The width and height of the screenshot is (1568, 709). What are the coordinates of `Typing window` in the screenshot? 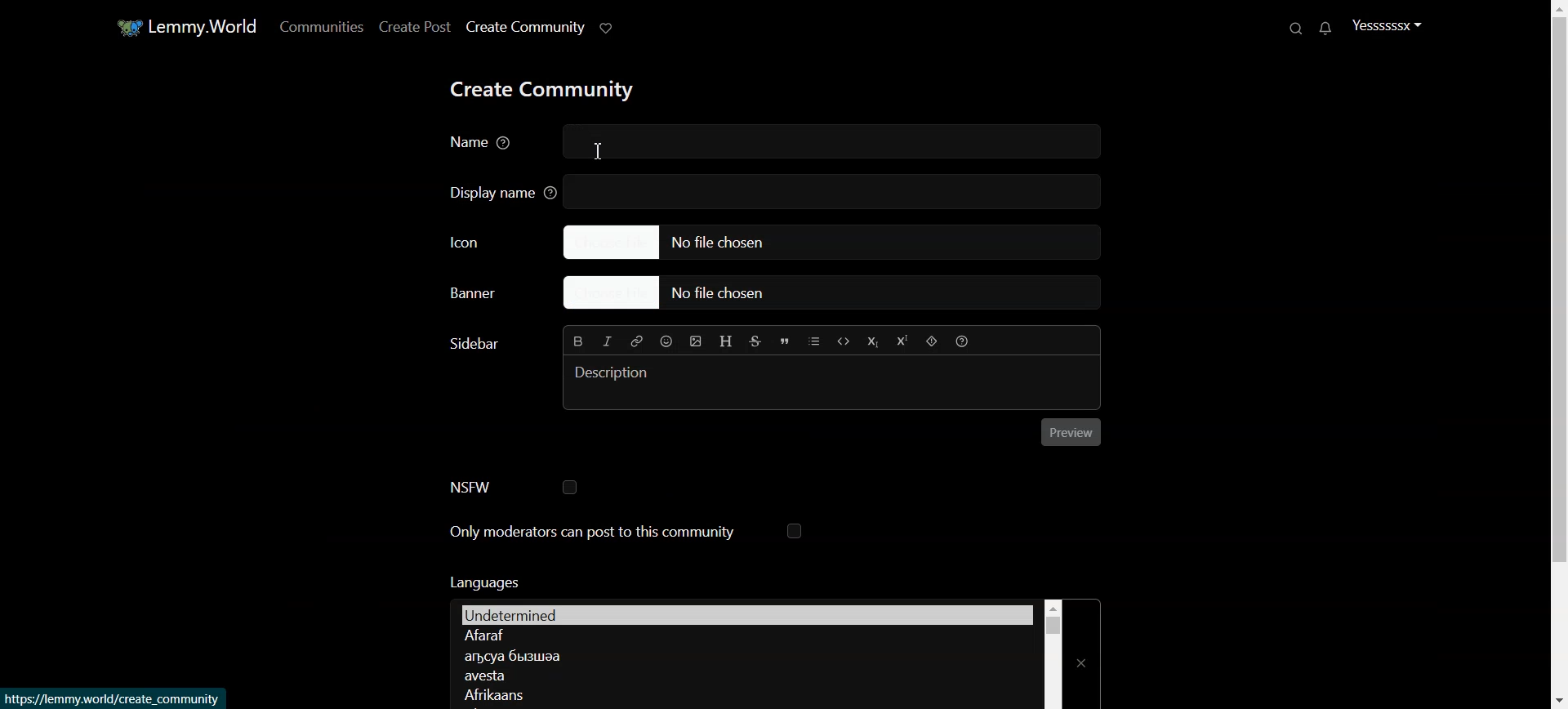 It's located at (833, 383).